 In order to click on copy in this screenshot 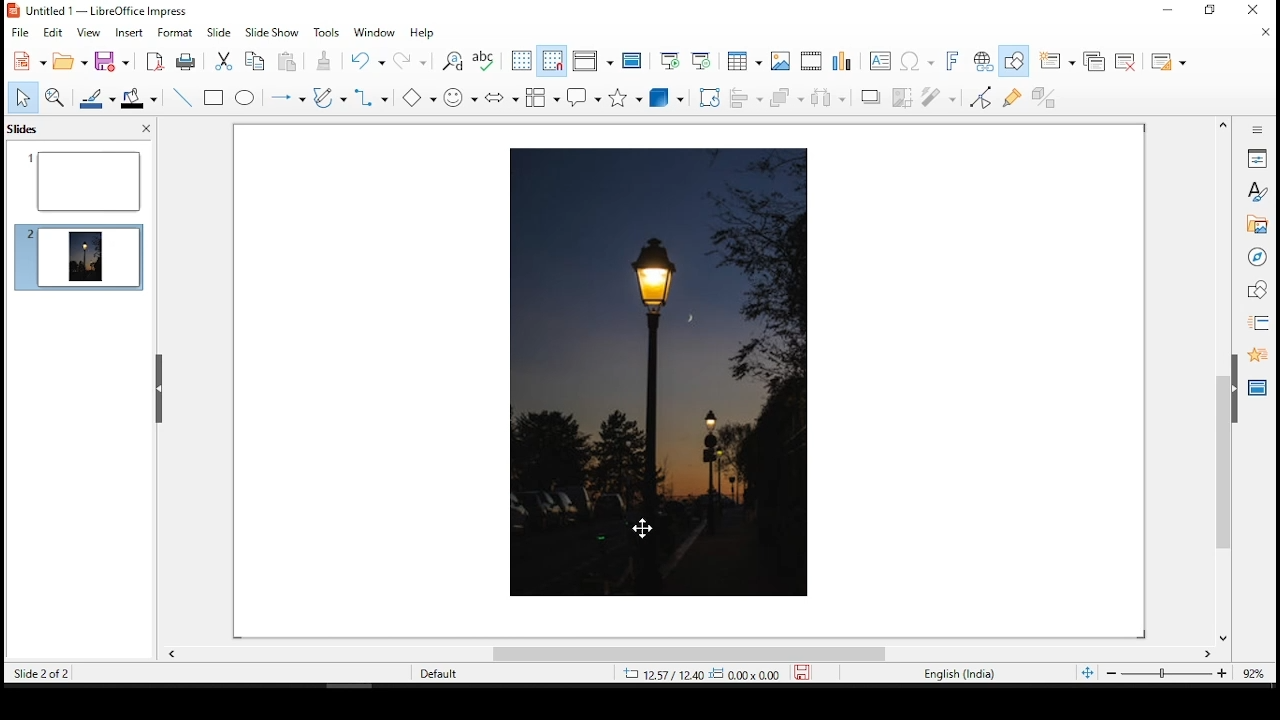, I will do `click(255, 63)`.